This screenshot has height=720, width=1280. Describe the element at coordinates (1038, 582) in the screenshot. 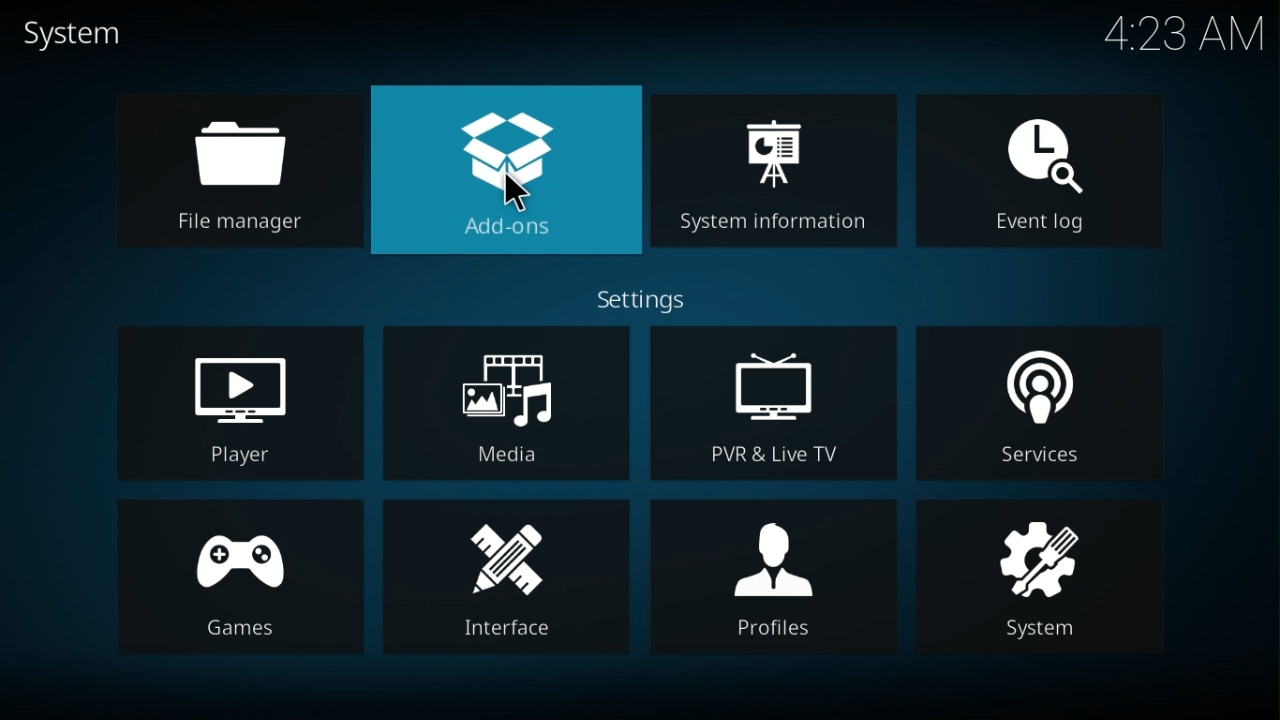

I see `System` at that location.